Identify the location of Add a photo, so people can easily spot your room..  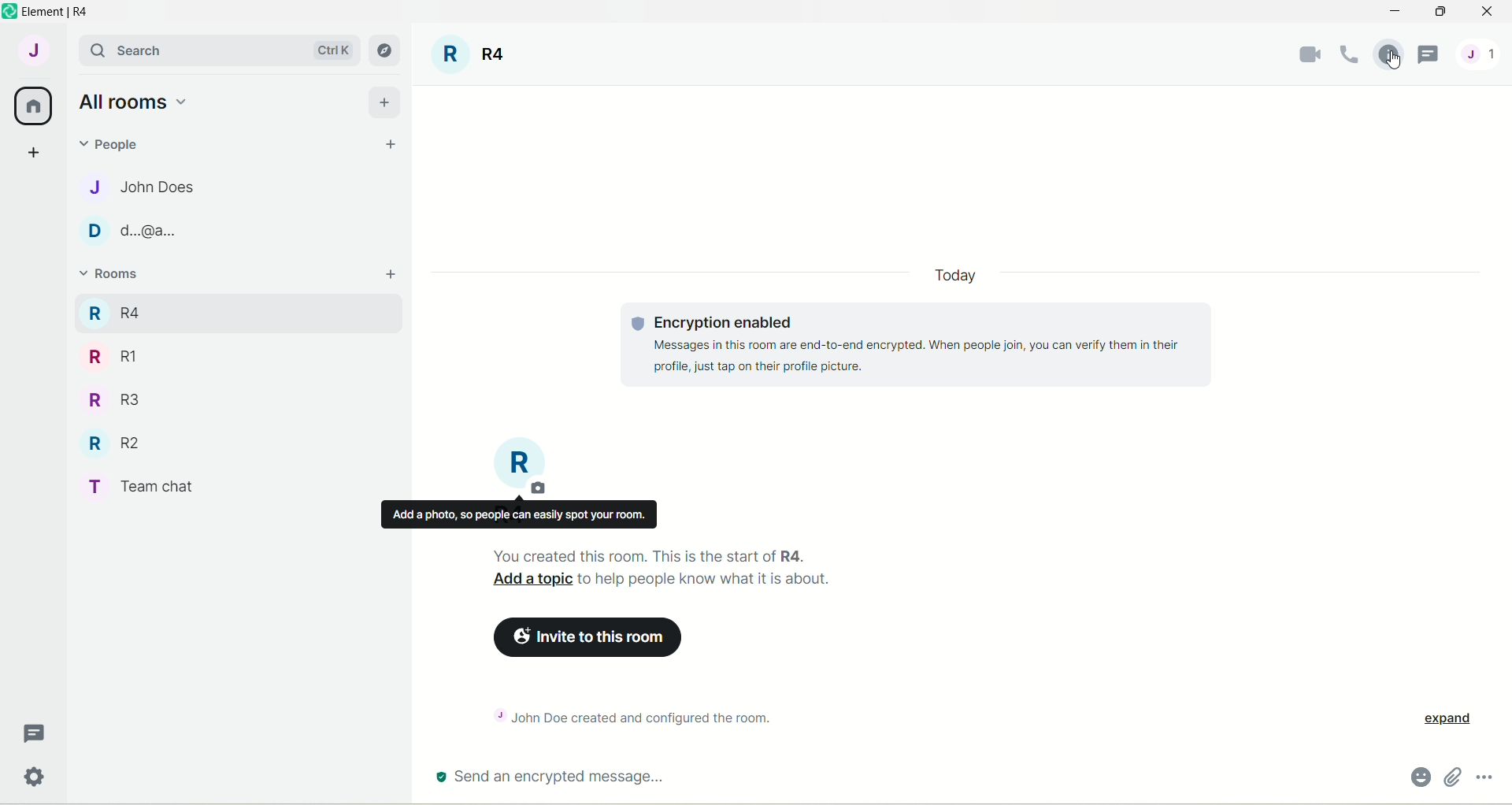
(518, 514).